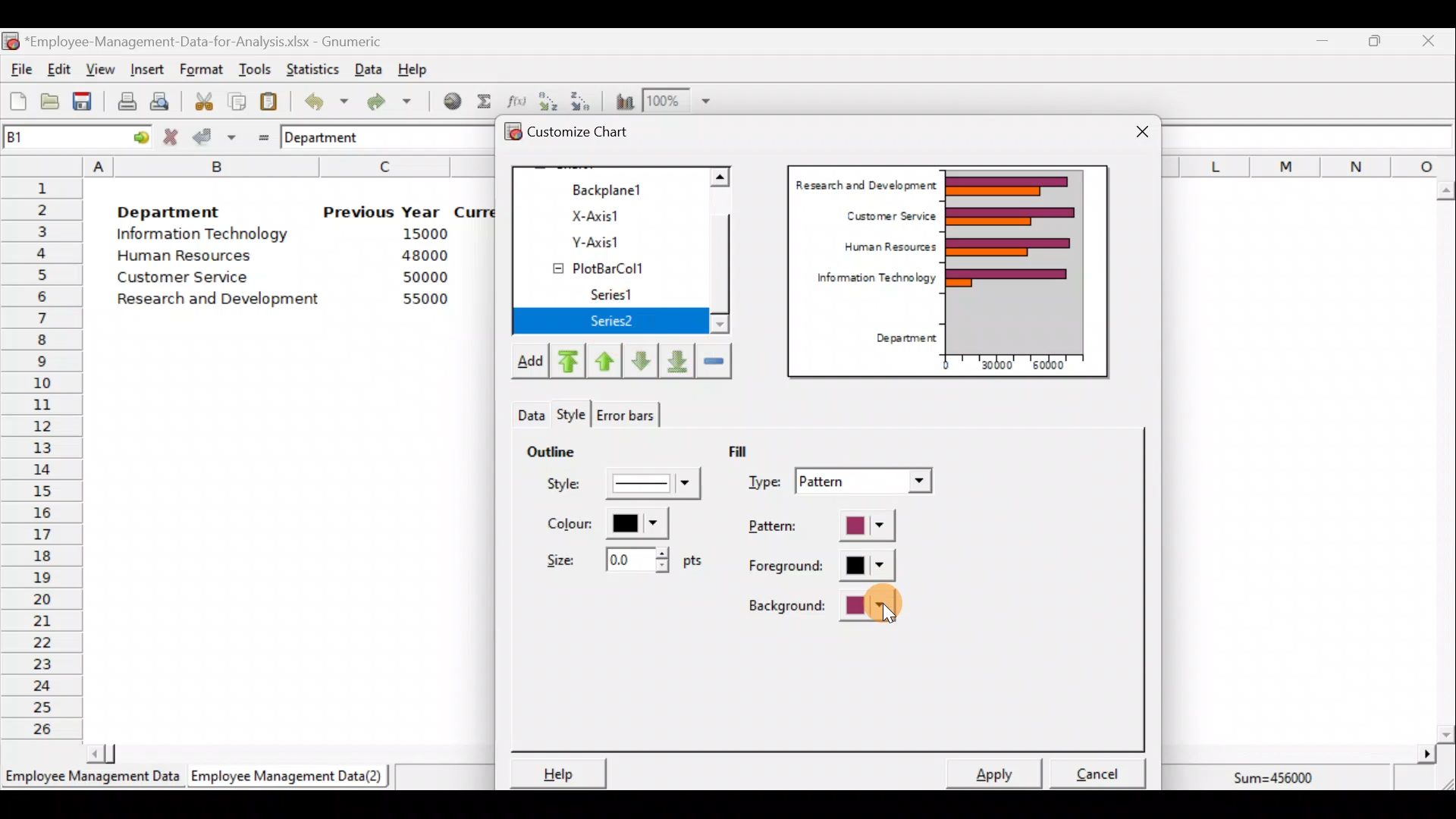  Describe the element at coordinates (869, 281) in the screenshot. I see `Information Technology` at that location.